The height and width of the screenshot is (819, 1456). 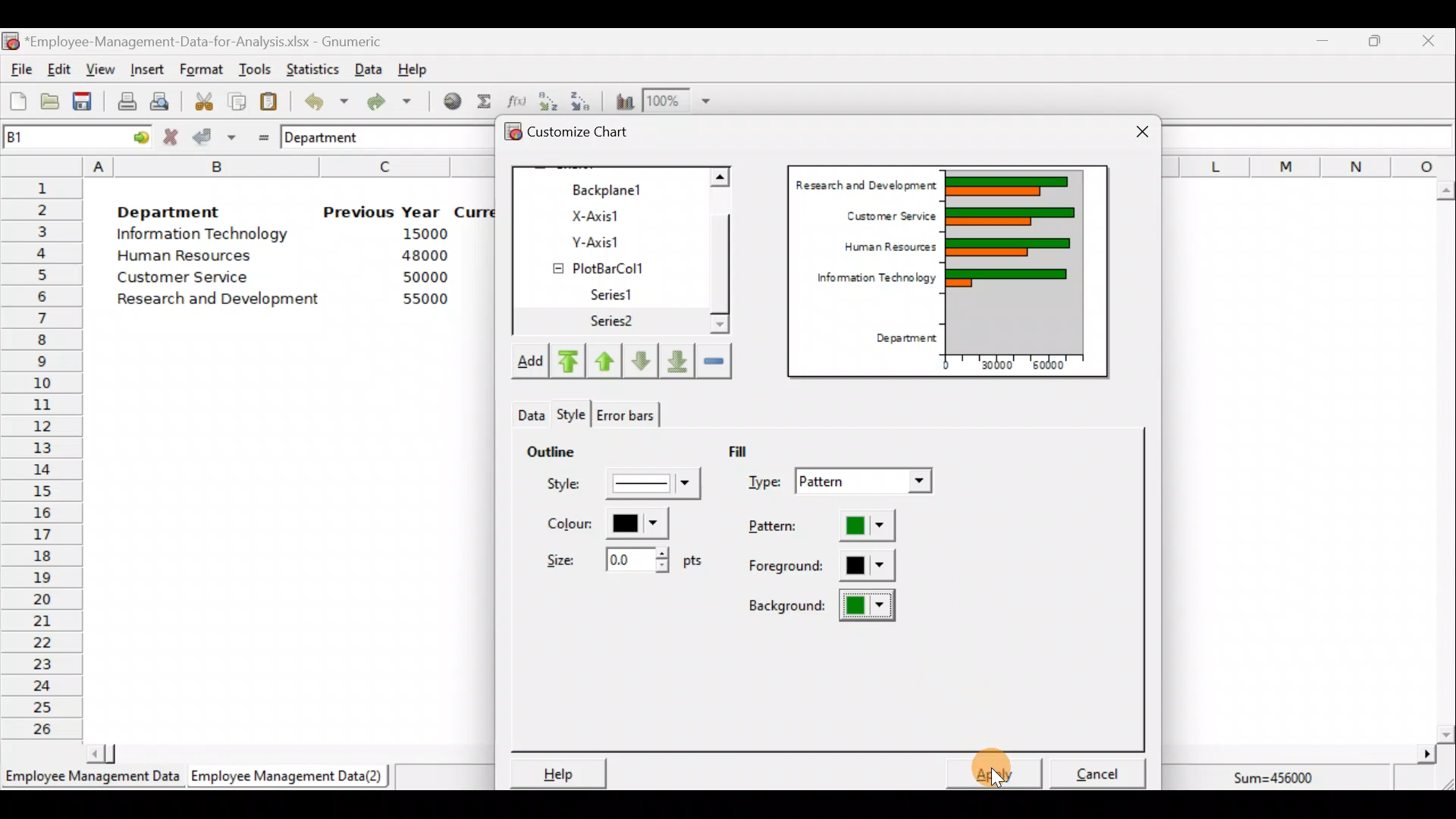 I want to click on Open a file, so click(x=54, y=103).